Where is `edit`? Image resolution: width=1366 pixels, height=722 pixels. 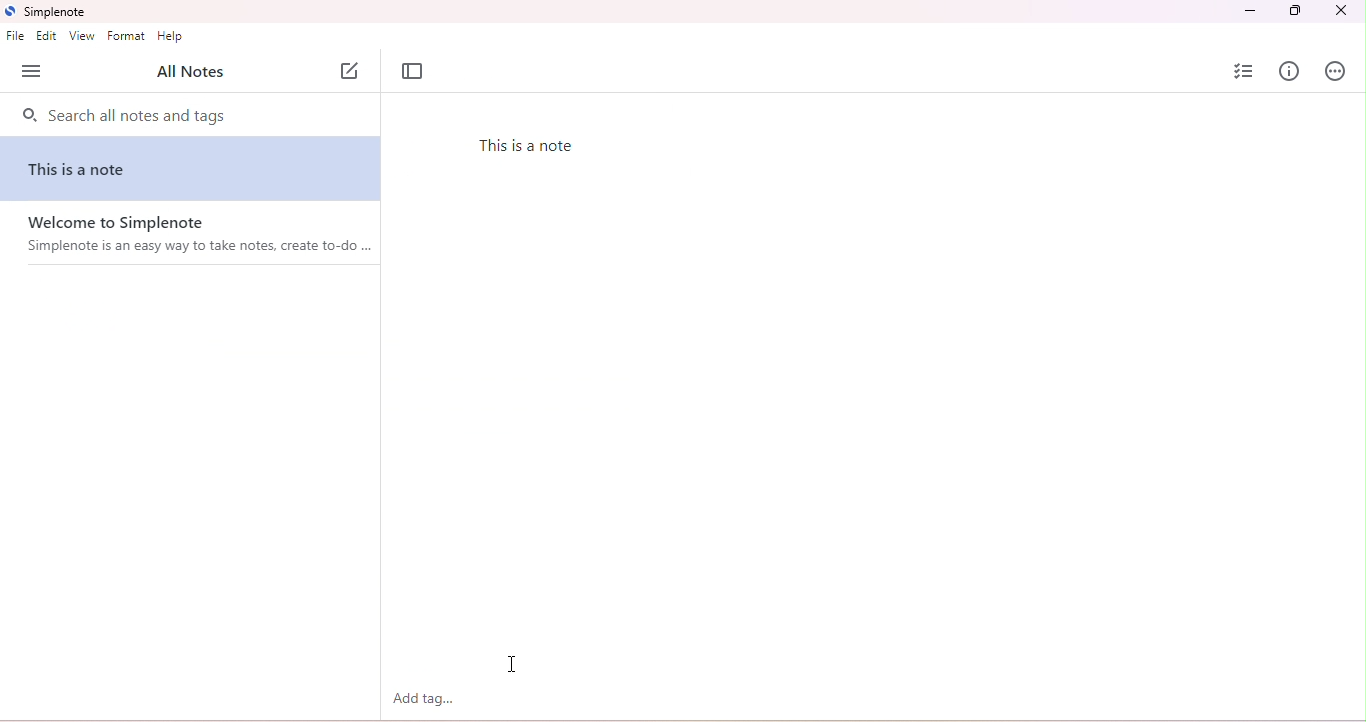
edit is located at coordinates (46, 36).